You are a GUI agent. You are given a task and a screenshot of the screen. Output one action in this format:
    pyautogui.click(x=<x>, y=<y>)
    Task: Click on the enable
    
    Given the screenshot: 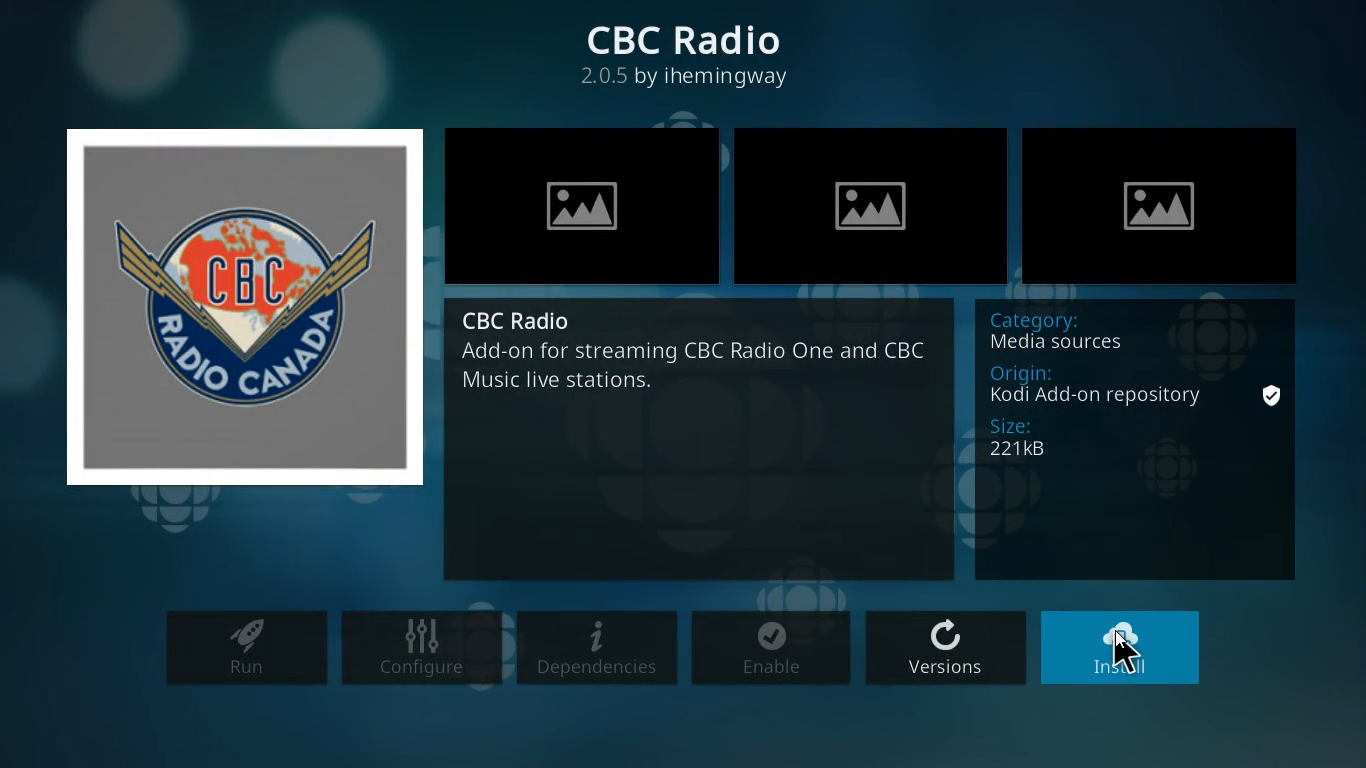 What is the action you would take?
    pyautogui.click(x=770, y=652)
    